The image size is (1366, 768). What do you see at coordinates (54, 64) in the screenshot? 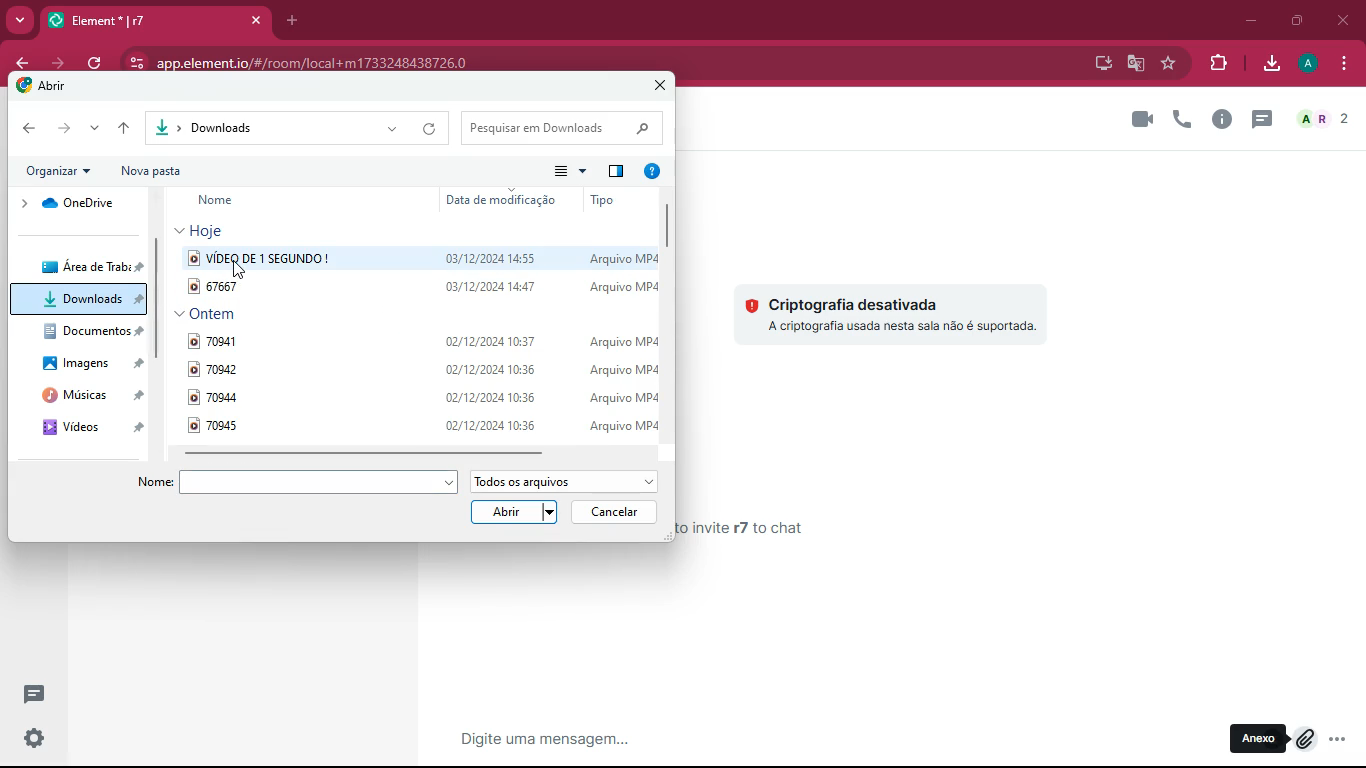
I see `forward` at bounding box center [54, 64].